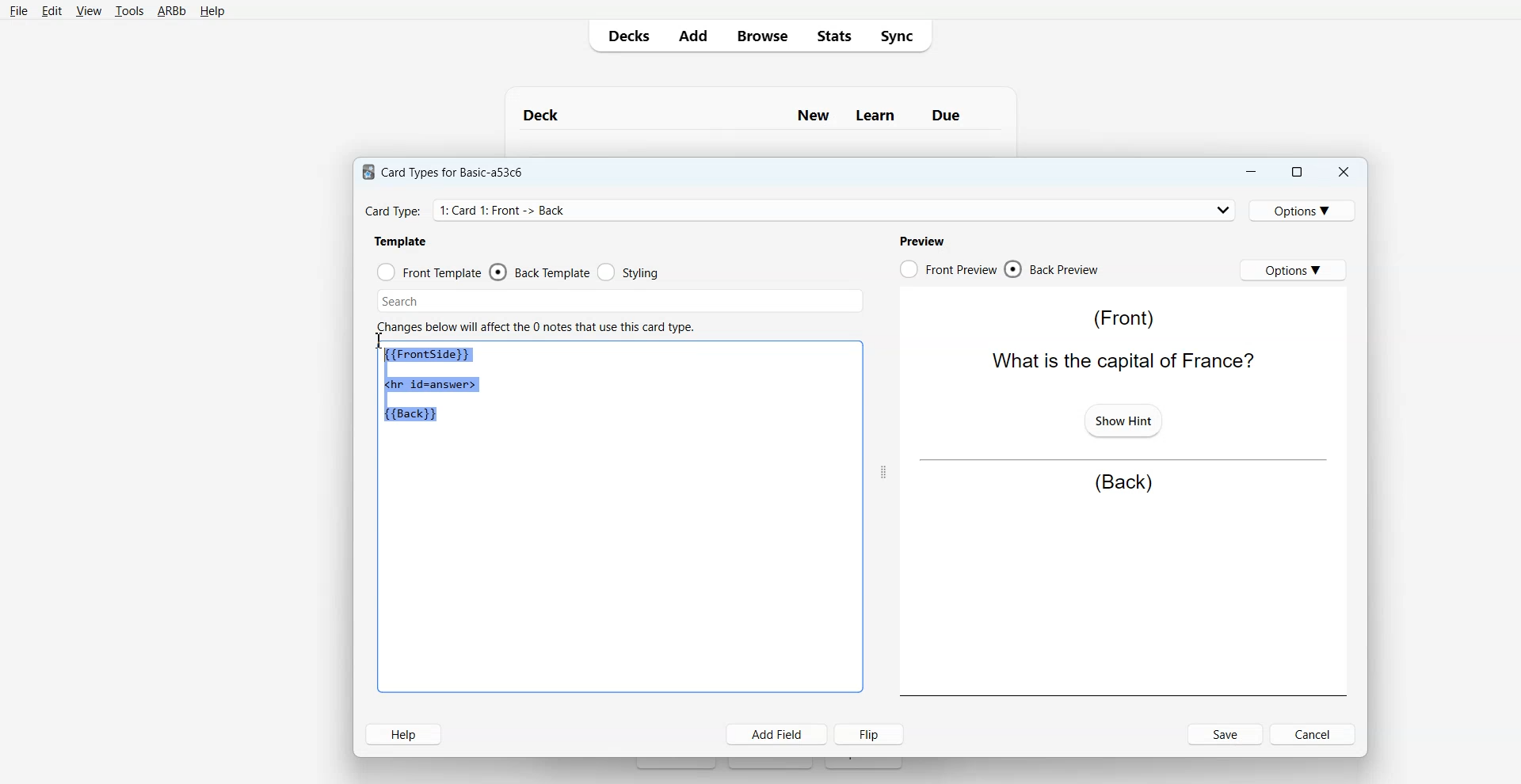  What do you see at coordinates (1226, 734) in the screenshot?
I see `Save` at bounding box center [1226, 734].